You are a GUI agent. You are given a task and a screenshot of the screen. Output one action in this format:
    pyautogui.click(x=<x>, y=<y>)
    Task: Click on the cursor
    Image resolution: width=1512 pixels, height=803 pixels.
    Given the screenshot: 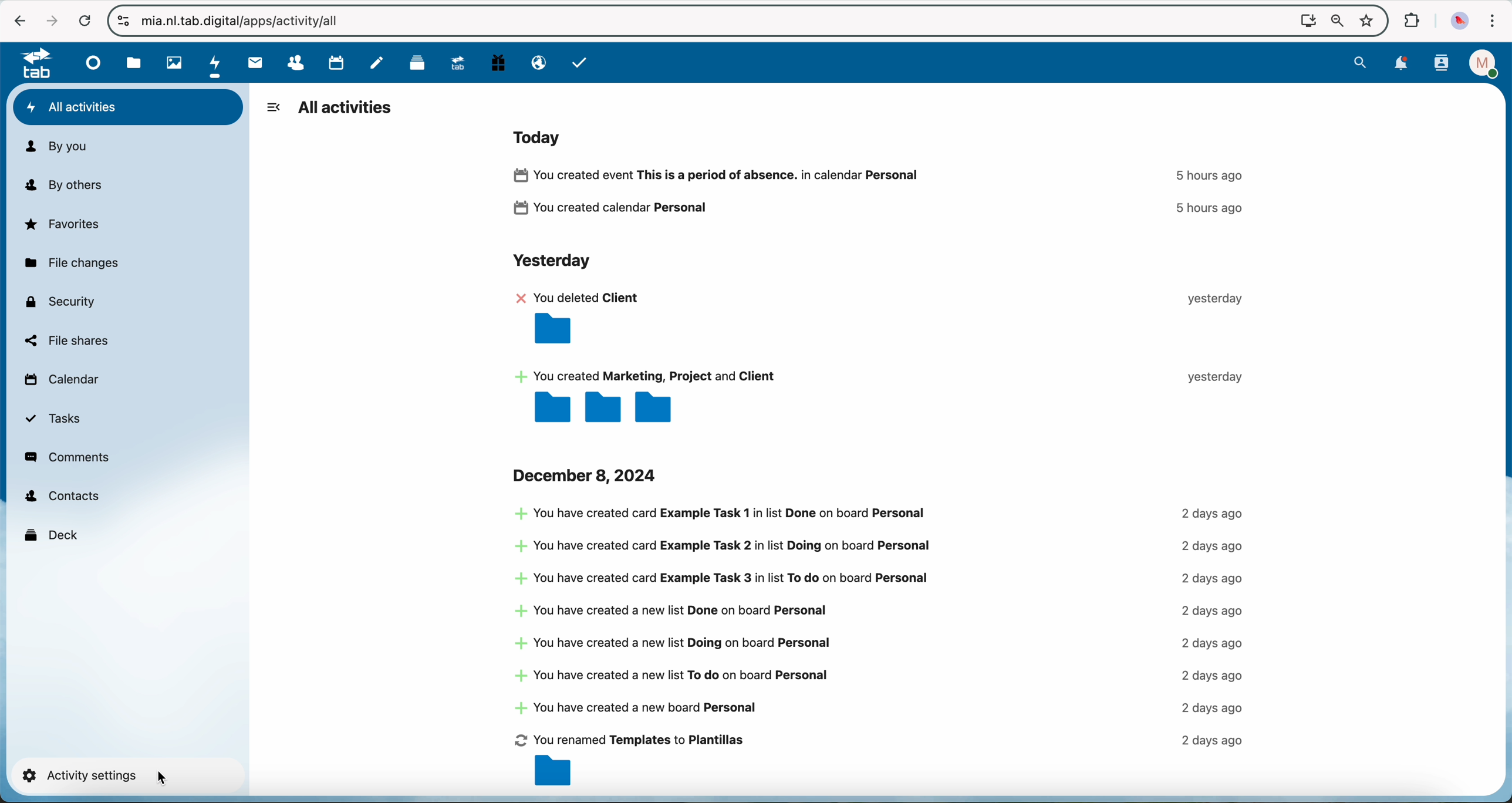 What is the action you would take?
    pyautogui.click(x=164, y=779)
    